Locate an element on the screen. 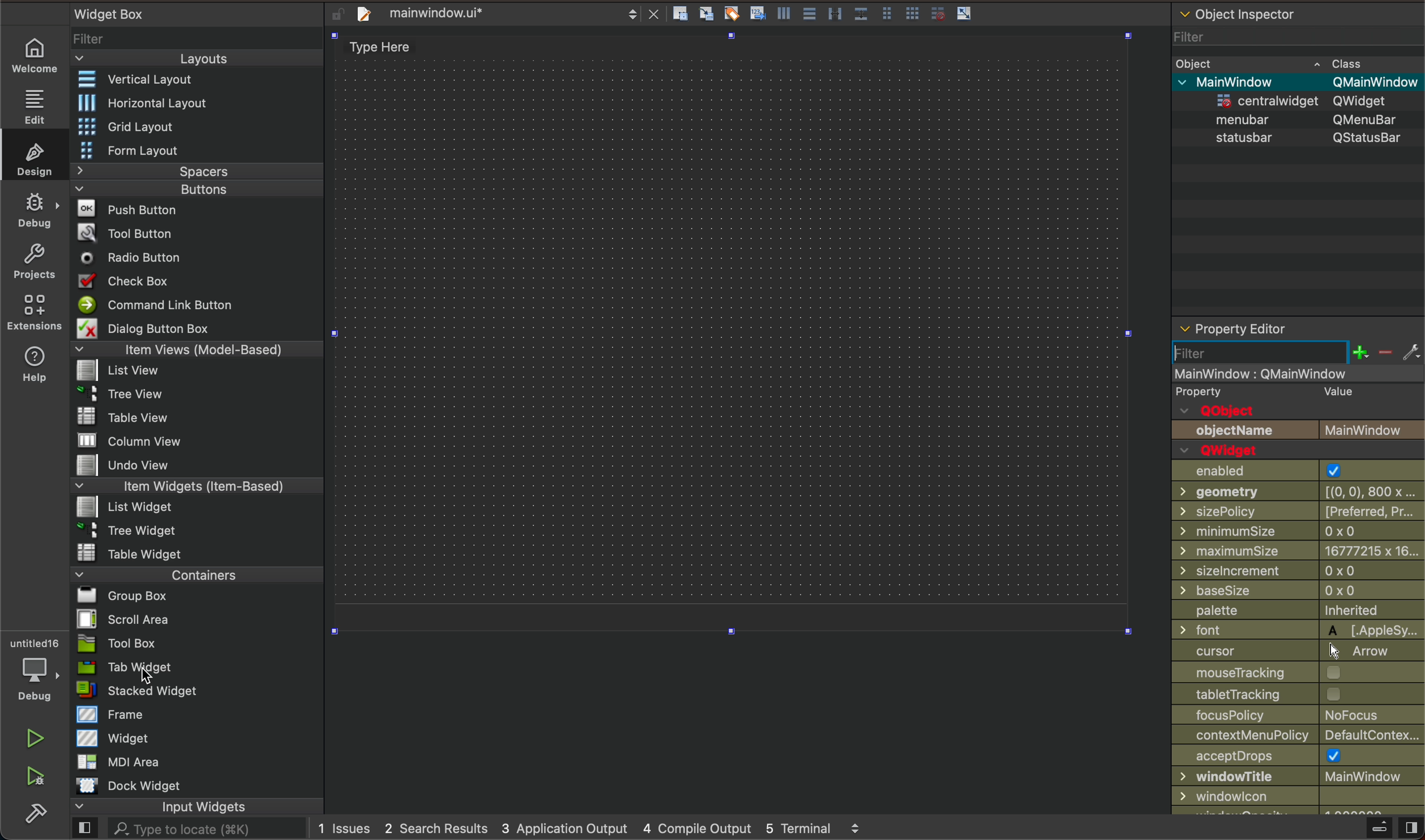 This screenshot has width=1425, height=840. Filter is located at coordinates (93, 37).